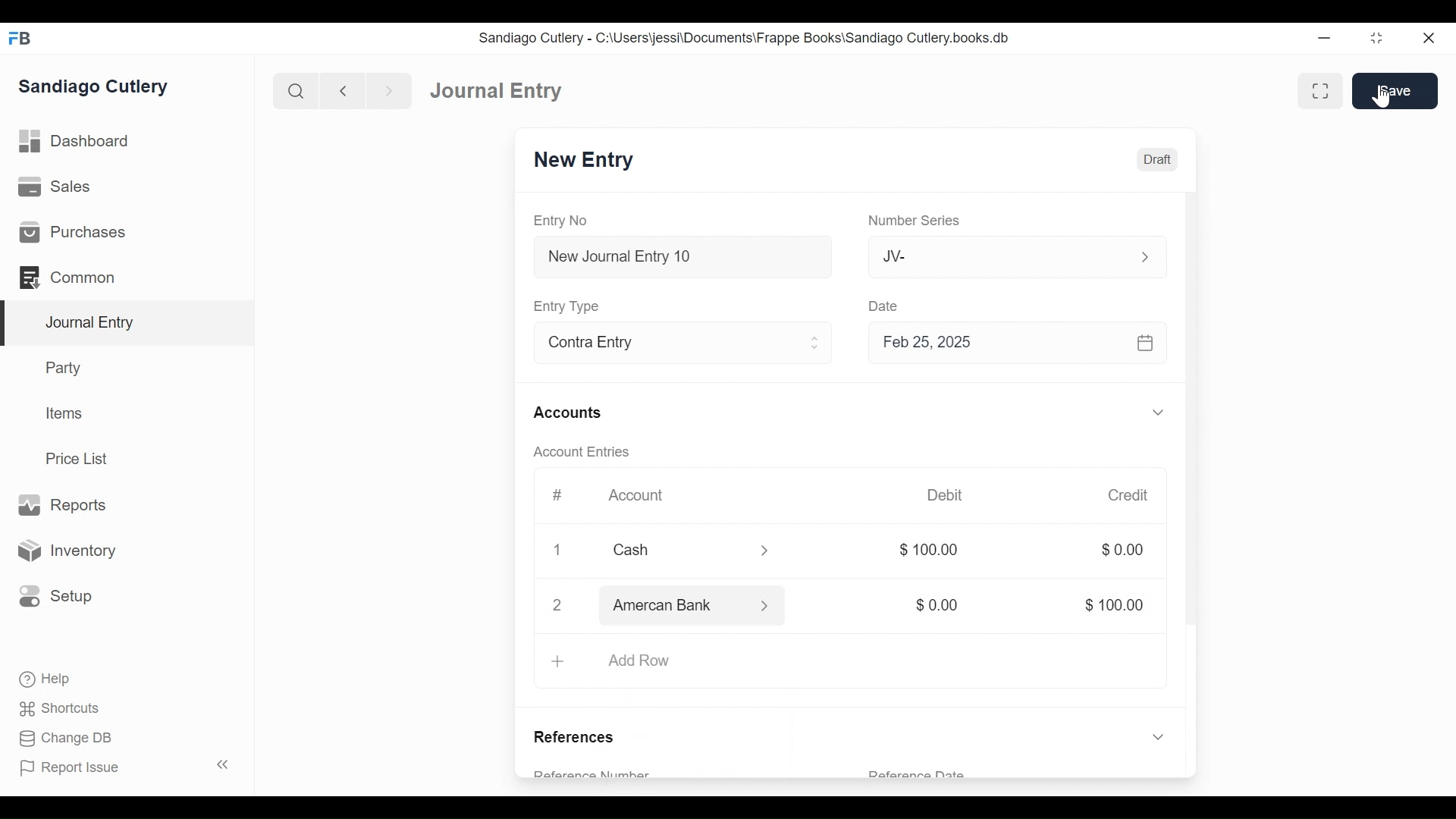 This screenshot has width=1456, height=819. Describe the element at coordinates (816, 345) in the screenshot. I see `Expand` at that location.